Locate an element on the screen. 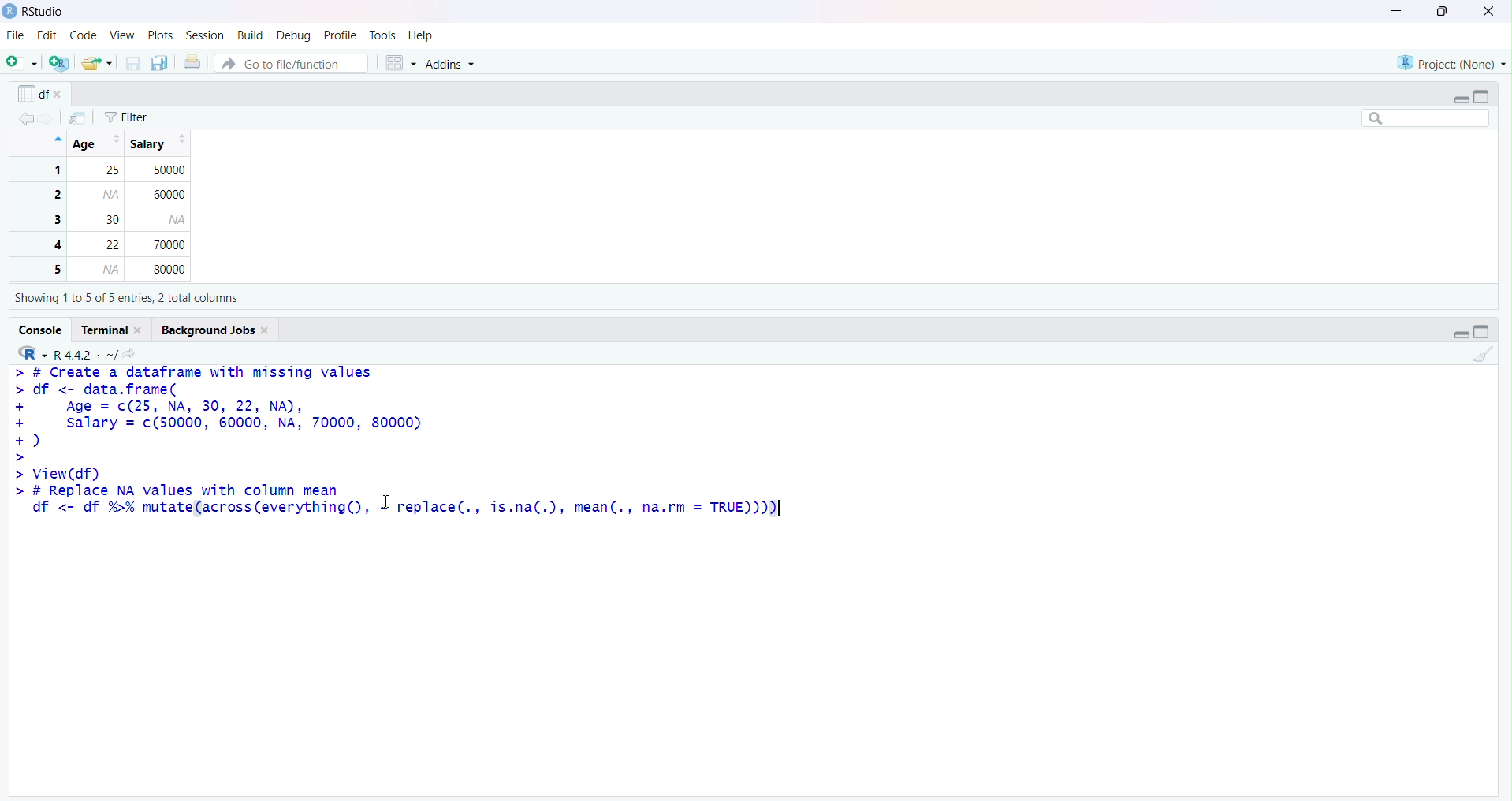 This screenshot has width=1512, height=801. Showing 110 5 of 5 entries, 2 total columns is located at coordinates (125, 301).